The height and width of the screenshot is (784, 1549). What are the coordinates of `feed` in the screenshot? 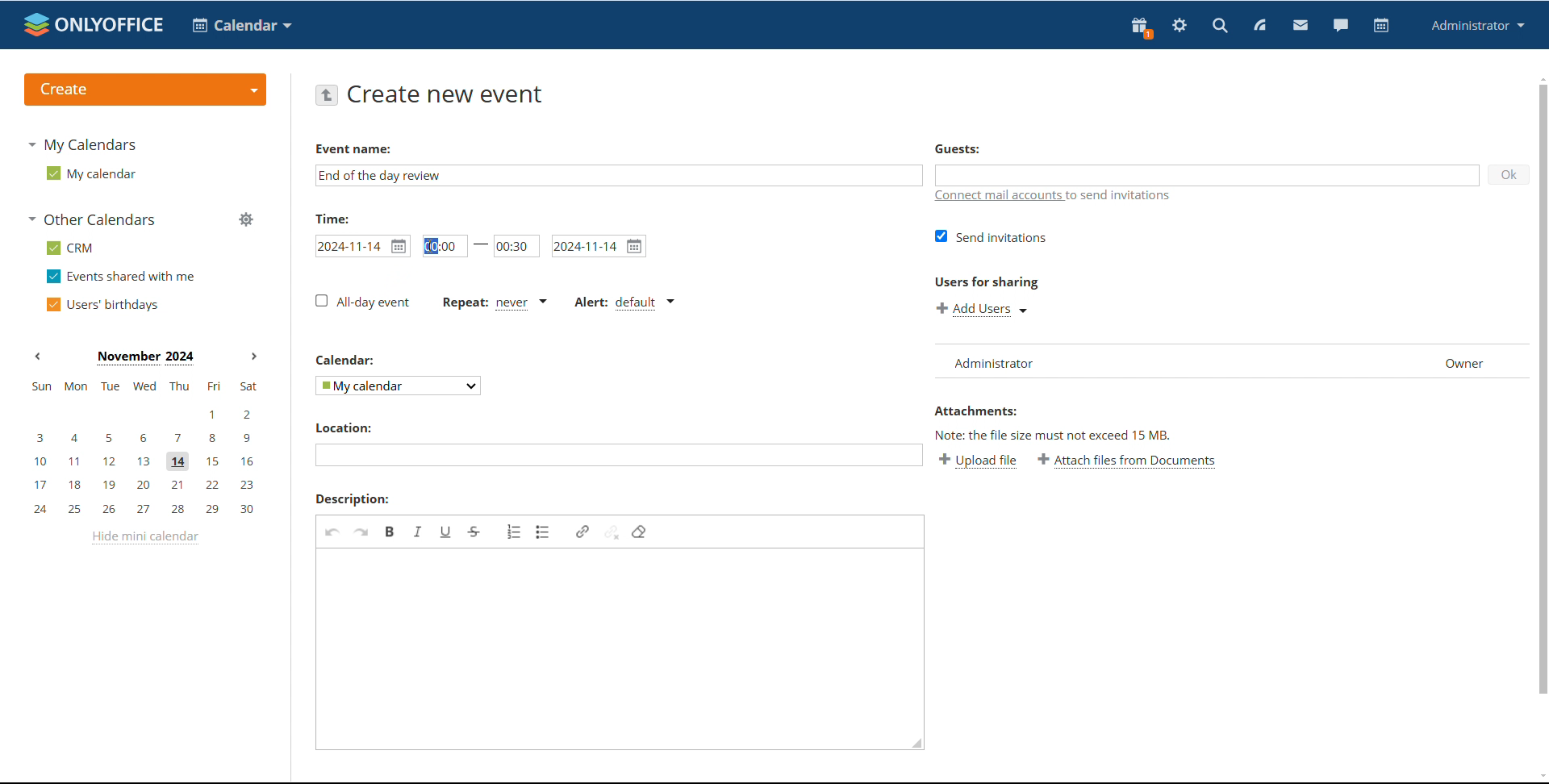 It's located at (1259, 25).